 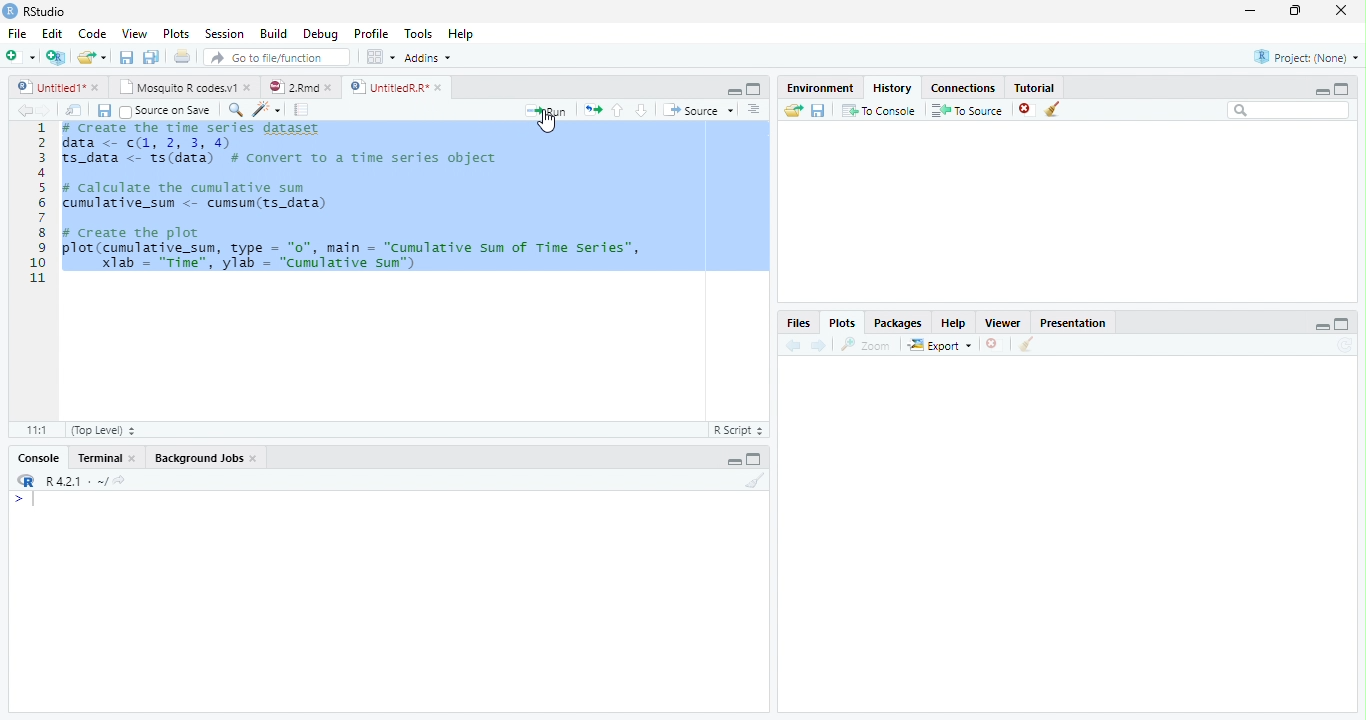 I want to click on Search, so click(x=1287, y=111).